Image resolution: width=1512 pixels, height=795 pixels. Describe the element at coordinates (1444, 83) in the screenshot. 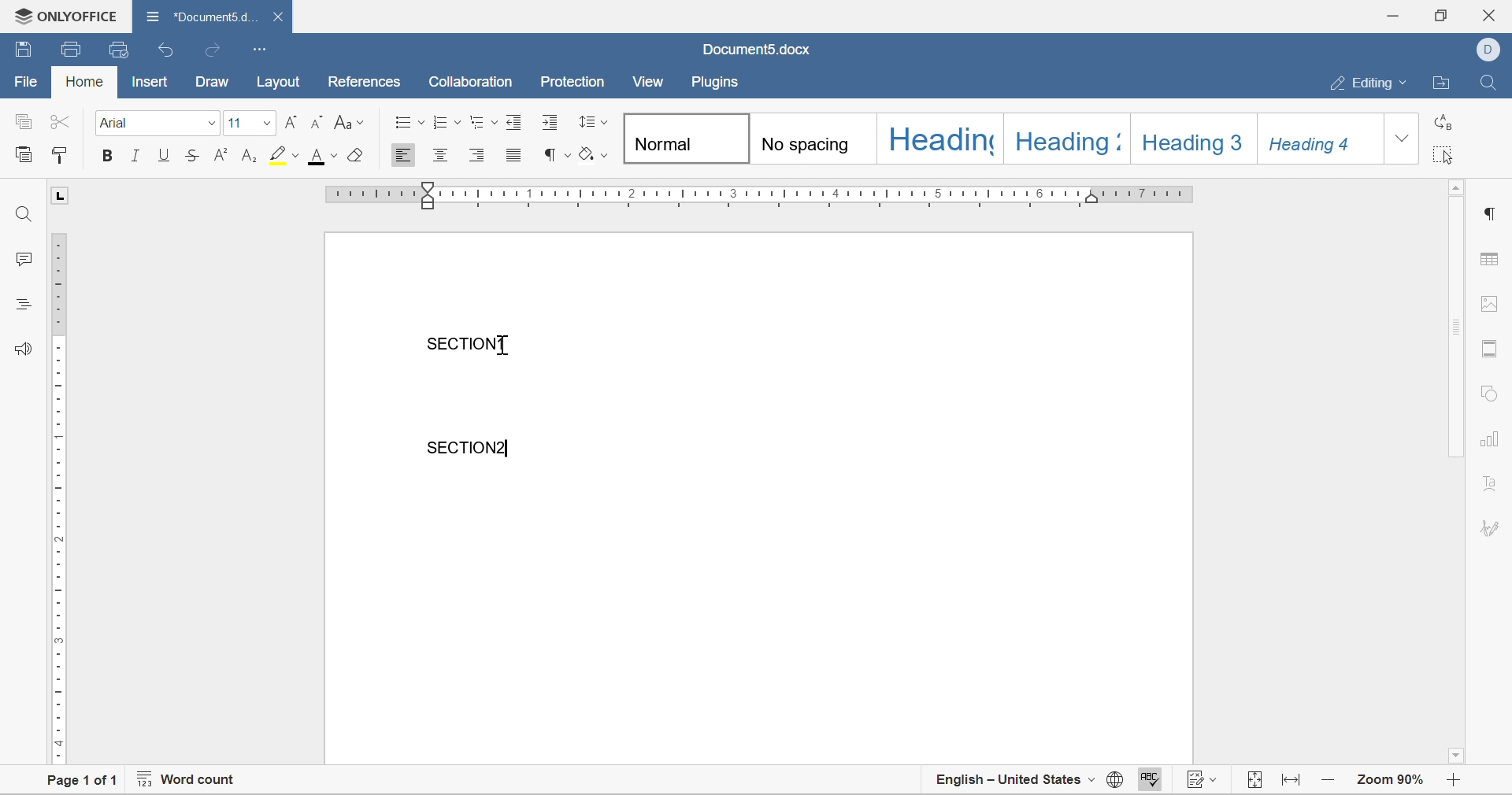

I see `open file location` at that location.